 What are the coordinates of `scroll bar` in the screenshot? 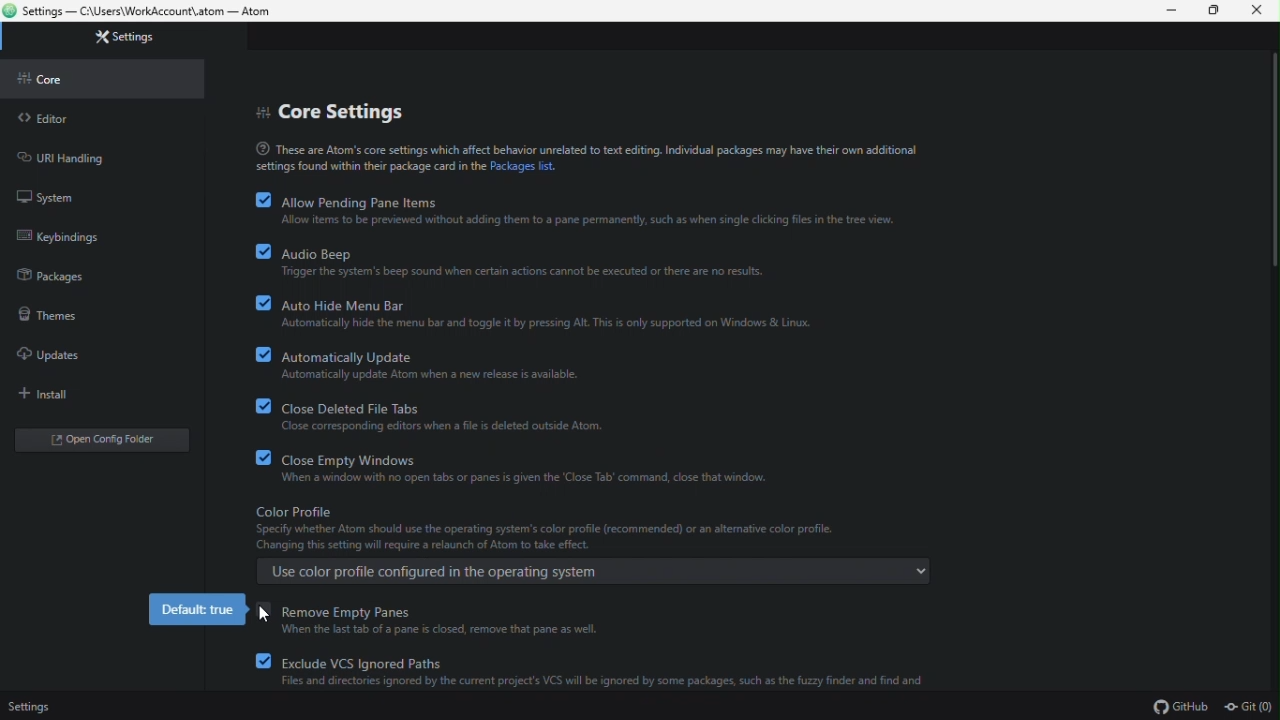 It's located at (1271, 162).